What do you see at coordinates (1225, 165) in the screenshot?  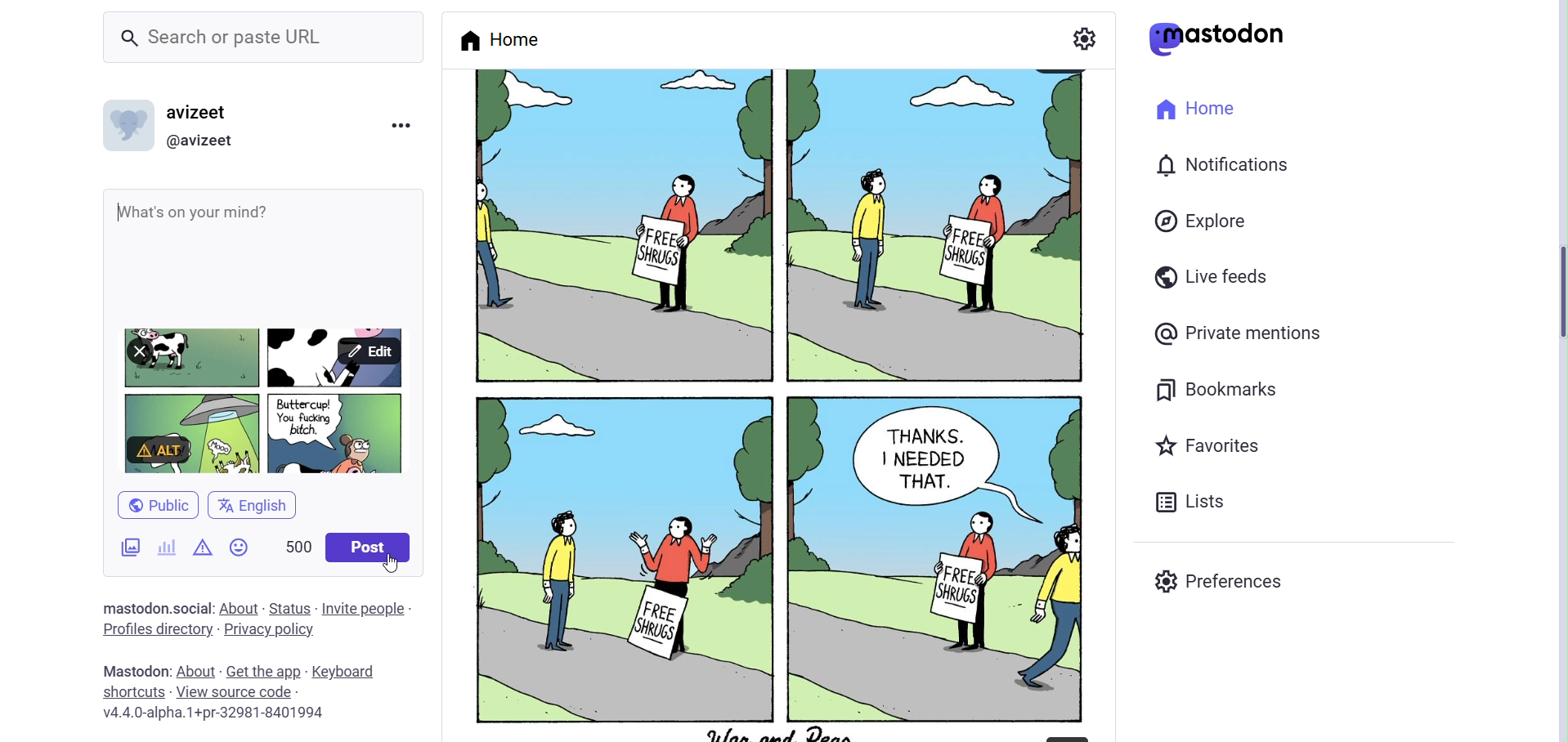 I see `Notifications` at bounding box center [1225, 165].